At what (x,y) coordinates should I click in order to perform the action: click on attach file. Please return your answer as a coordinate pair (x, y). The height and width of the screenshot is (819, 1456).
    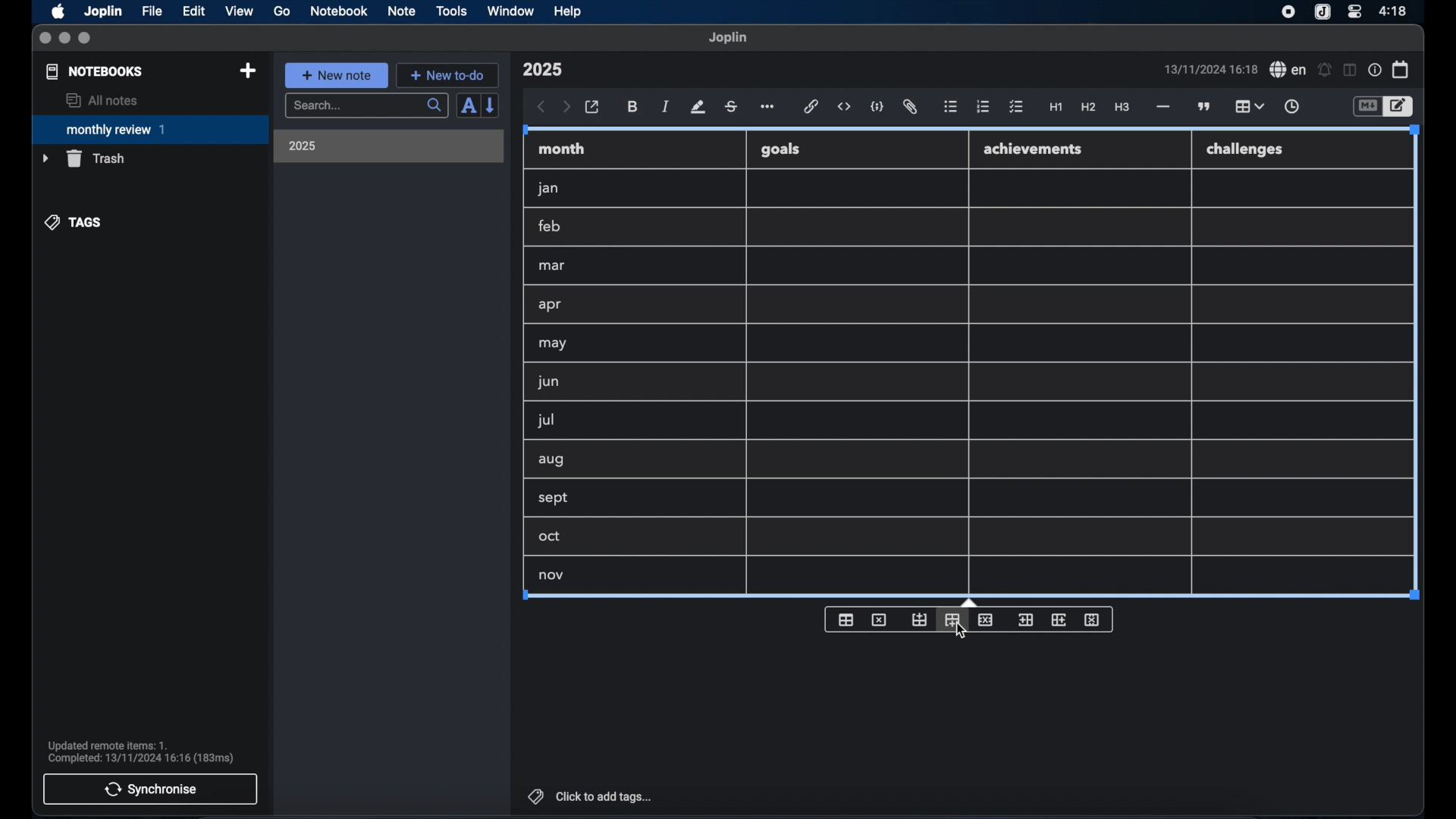
    Looking at the image, I should click on (910, 107).